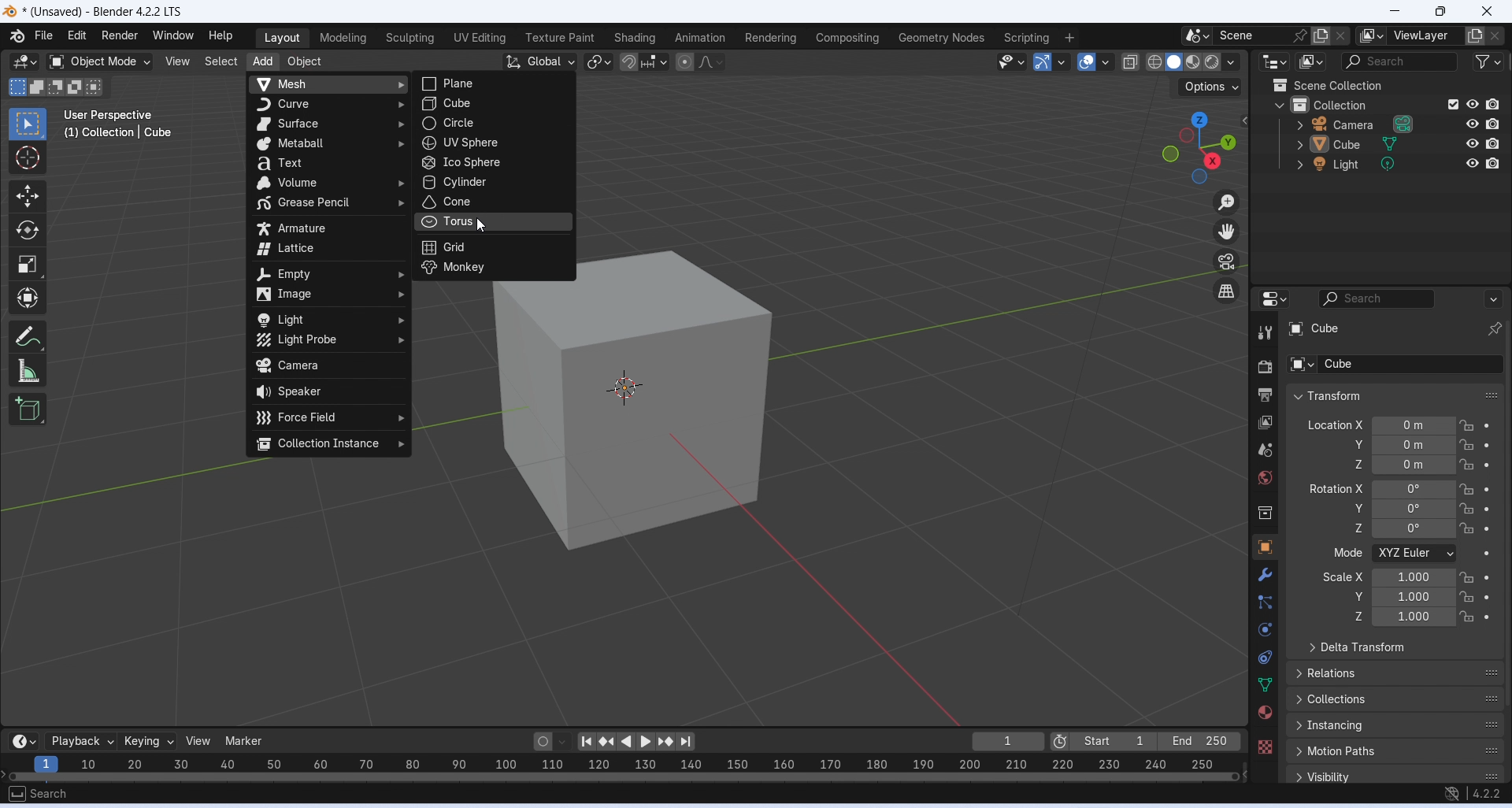 Image resolution: width=1512 pixels, height=808 pixels. Describe the element at coordinates (1423, 36) in the screenshot. I see `ViewLayer` at that location.